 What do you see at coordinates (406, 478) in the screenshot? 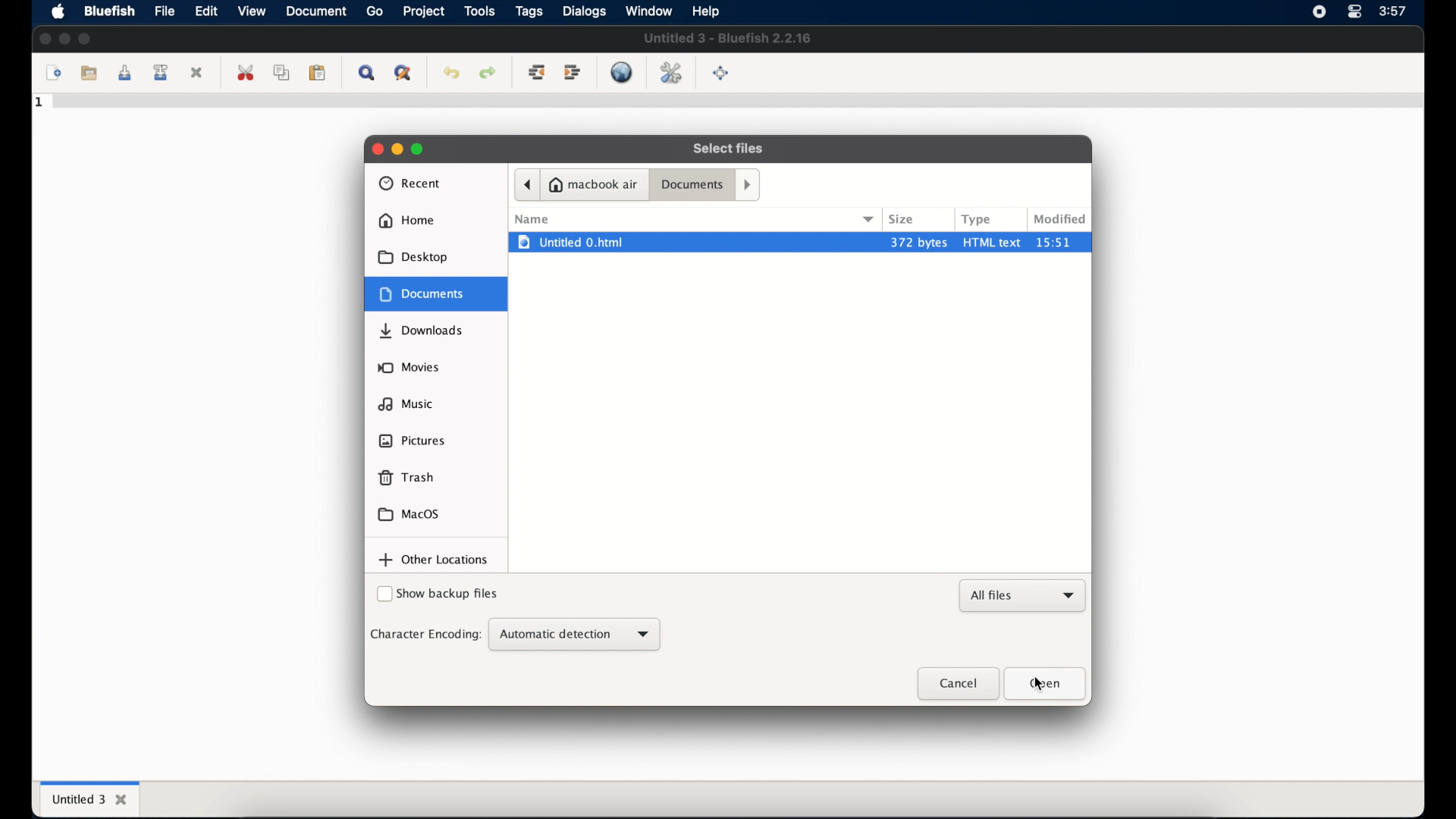
I see `trash` at bounding box center [406, 478].